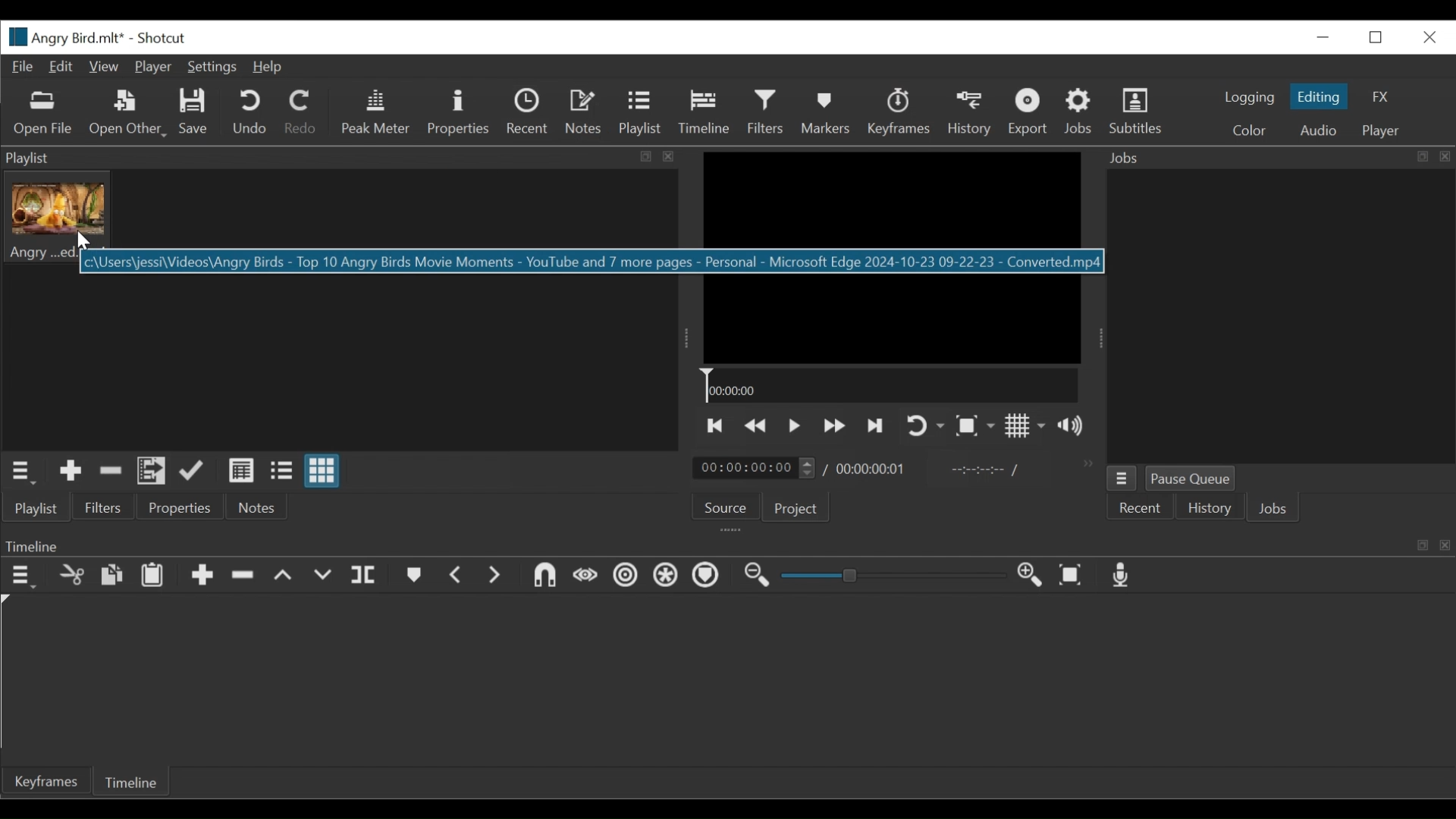 The height and width of the screenshot is (819, 1456). Describe the element at coordinates (1191, 479) in the screenshot. I see `Pause Queue` at that location.